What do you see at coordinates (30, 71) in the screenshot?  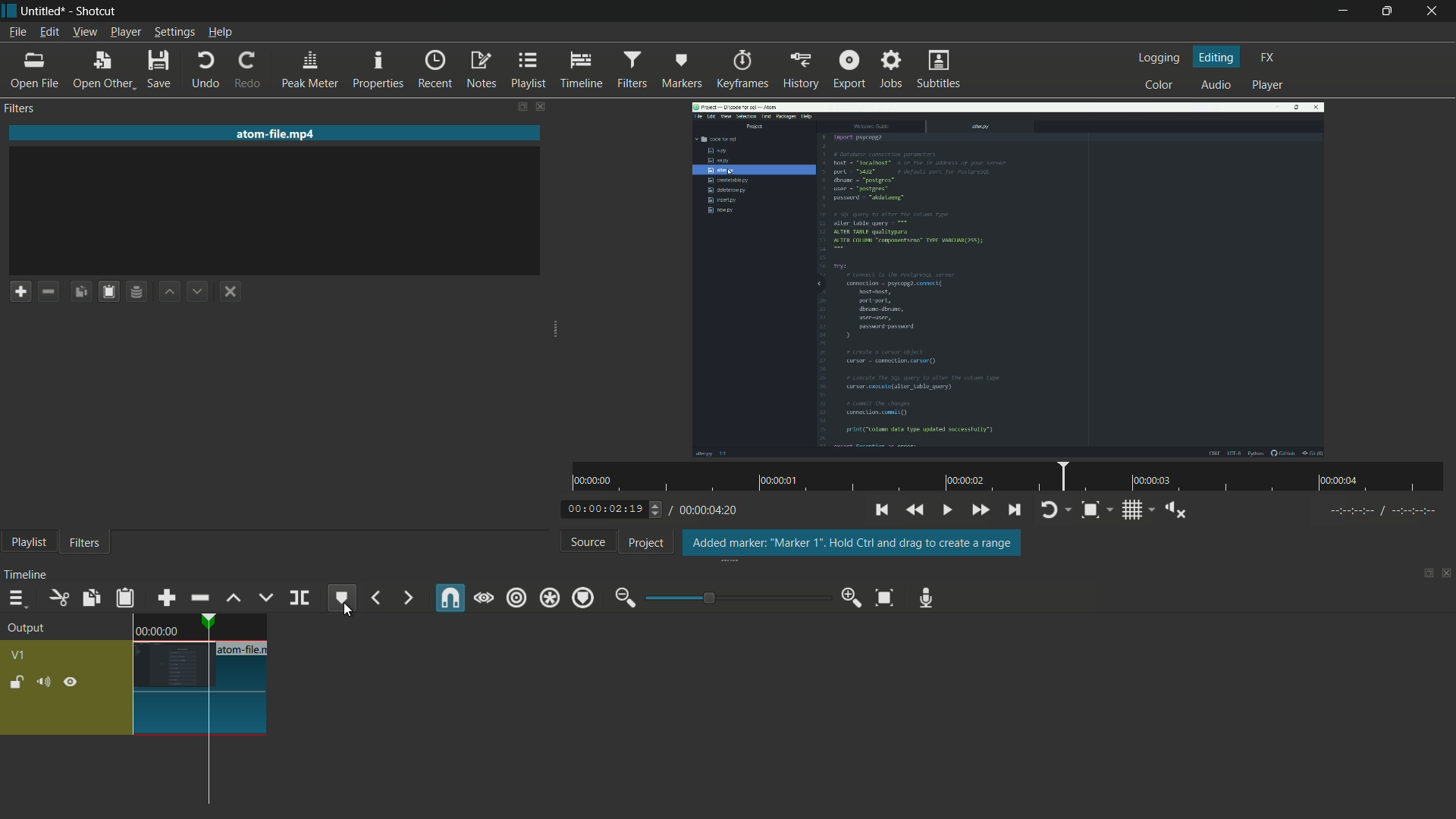 I see `open file` at bounding box center [30, 71].